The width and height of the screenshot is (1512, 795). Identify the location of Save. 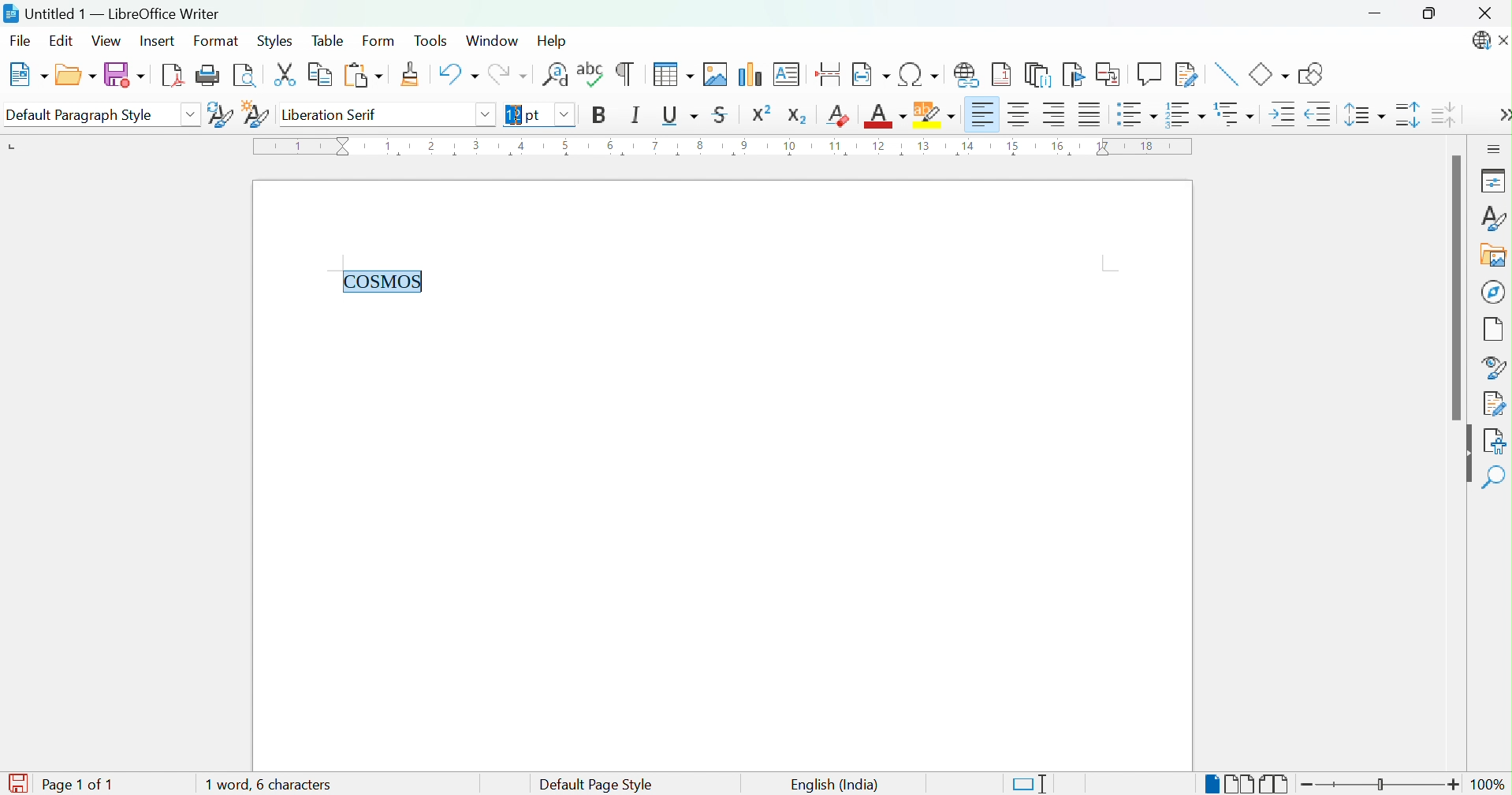
(20, 776).